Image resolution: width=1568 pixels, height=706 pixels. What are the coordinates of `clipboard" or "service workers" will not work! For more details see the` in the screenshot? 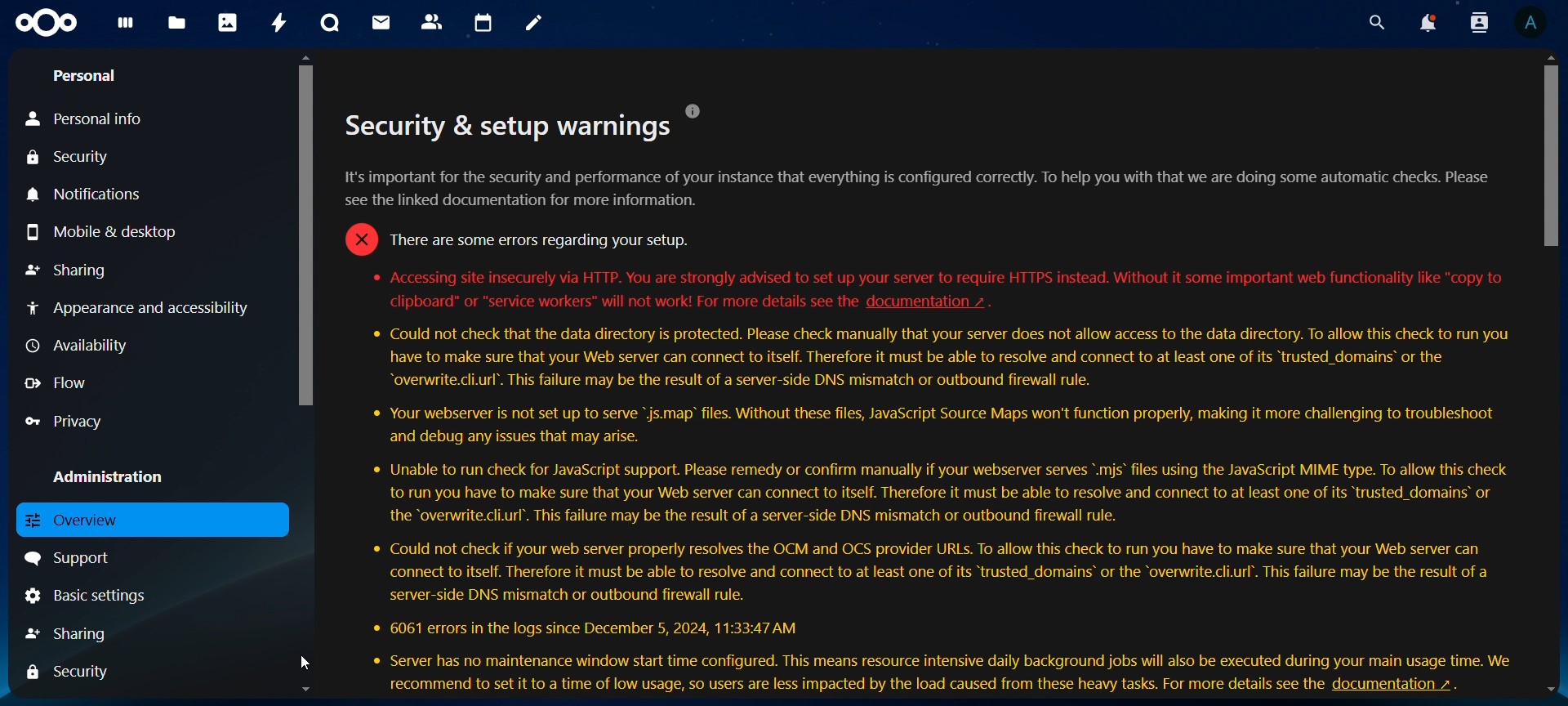 It's located at (617, 302).